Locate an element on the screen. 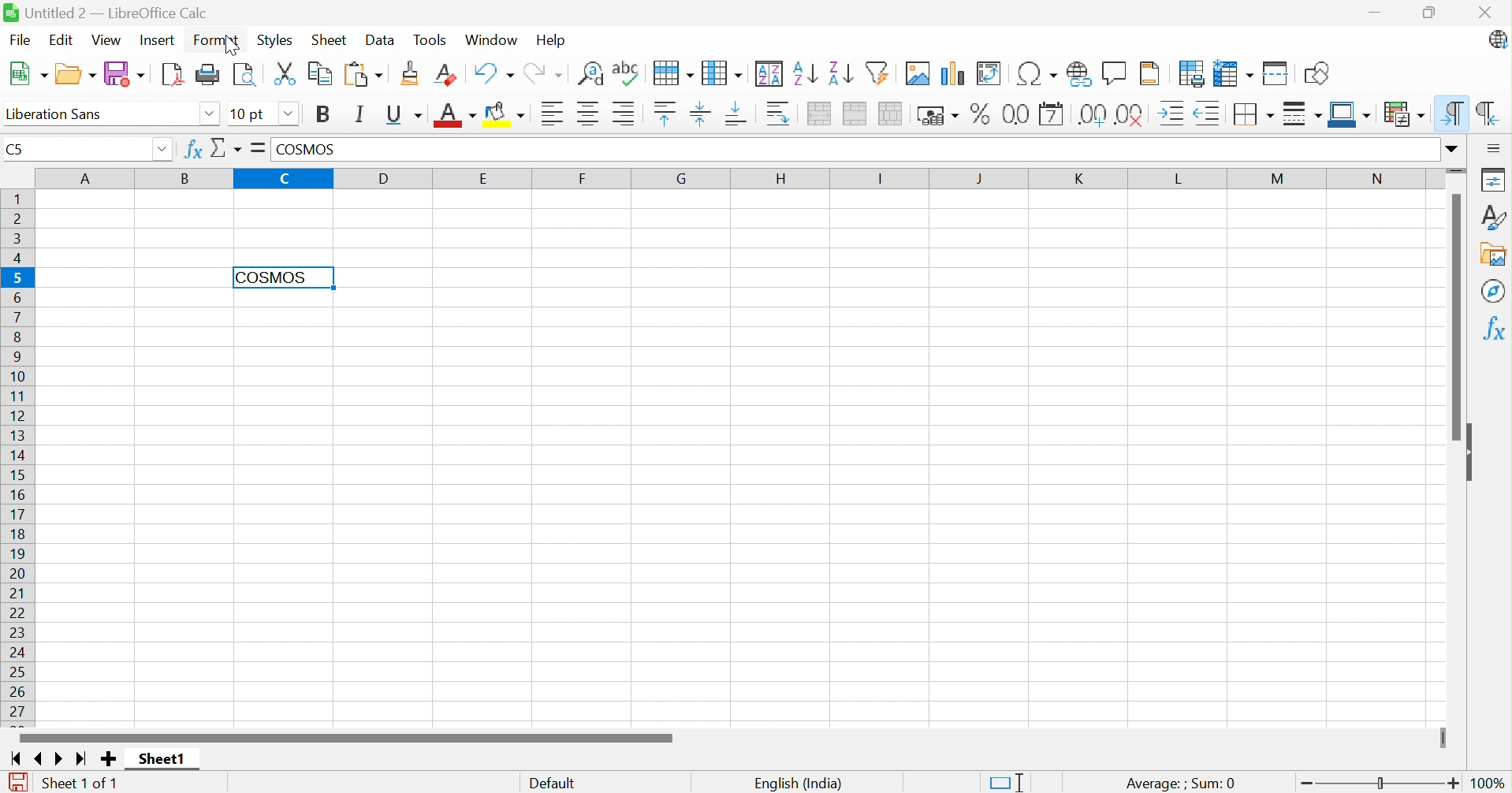 This screenshot has width=1512, height=793. Underline is located at coordinates (403, 116).